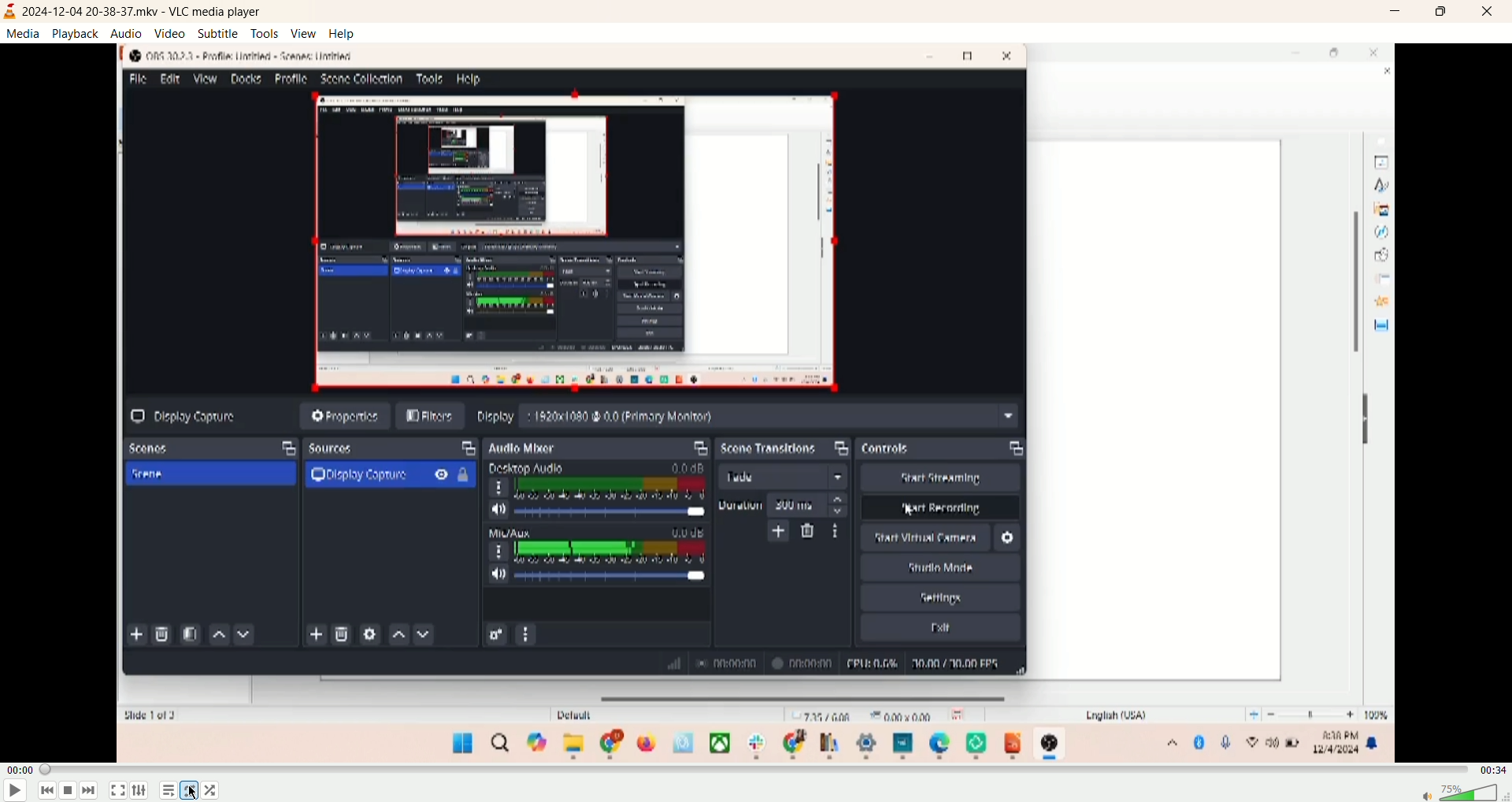 The width and height of the screenshot is (1512, 802). I want to click on extended playlist, so click(140, 790).